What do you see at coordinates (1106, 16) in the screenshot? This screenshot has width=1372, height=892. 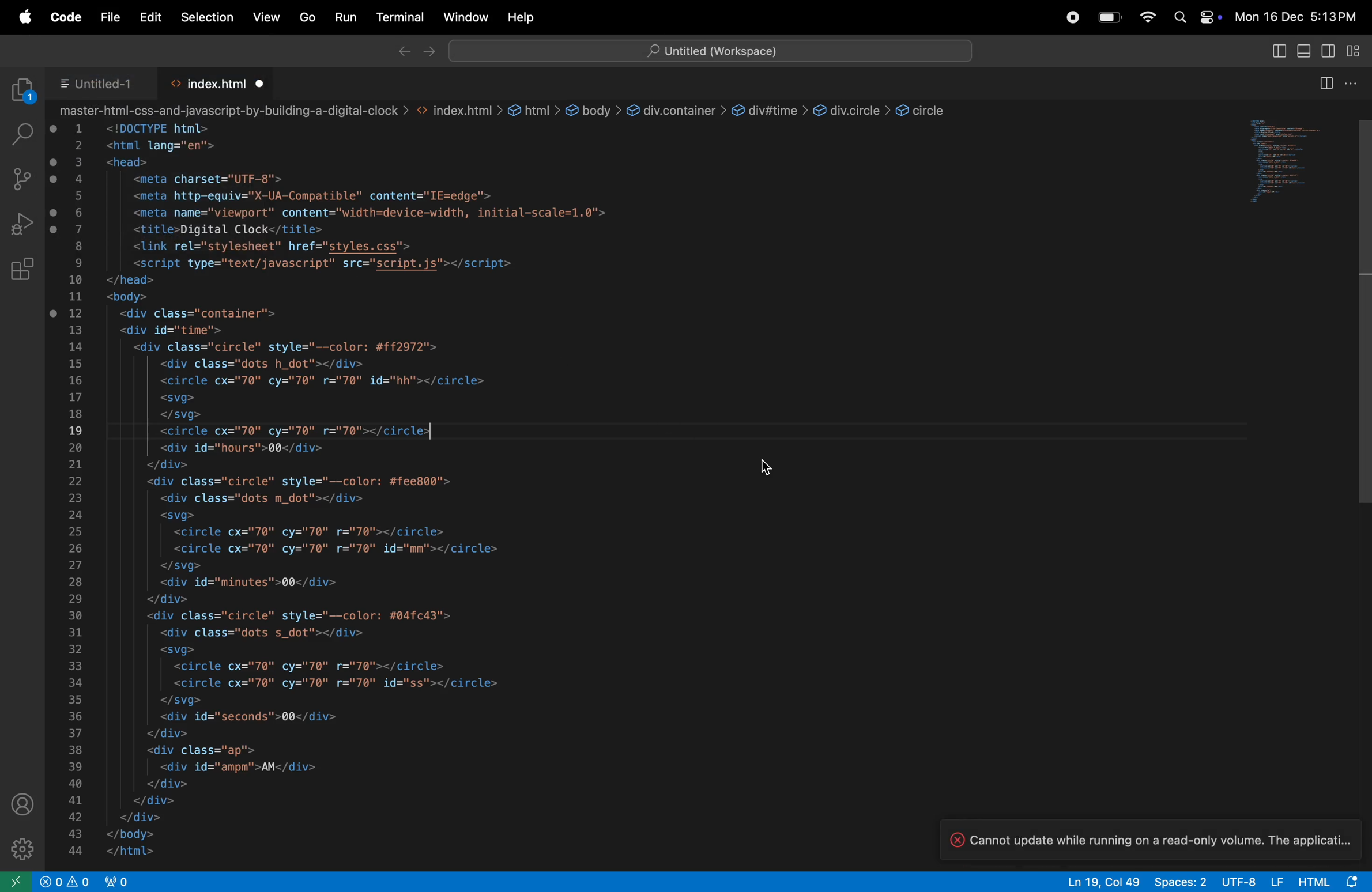 I see `battery` at bounding box center [1106, 16].